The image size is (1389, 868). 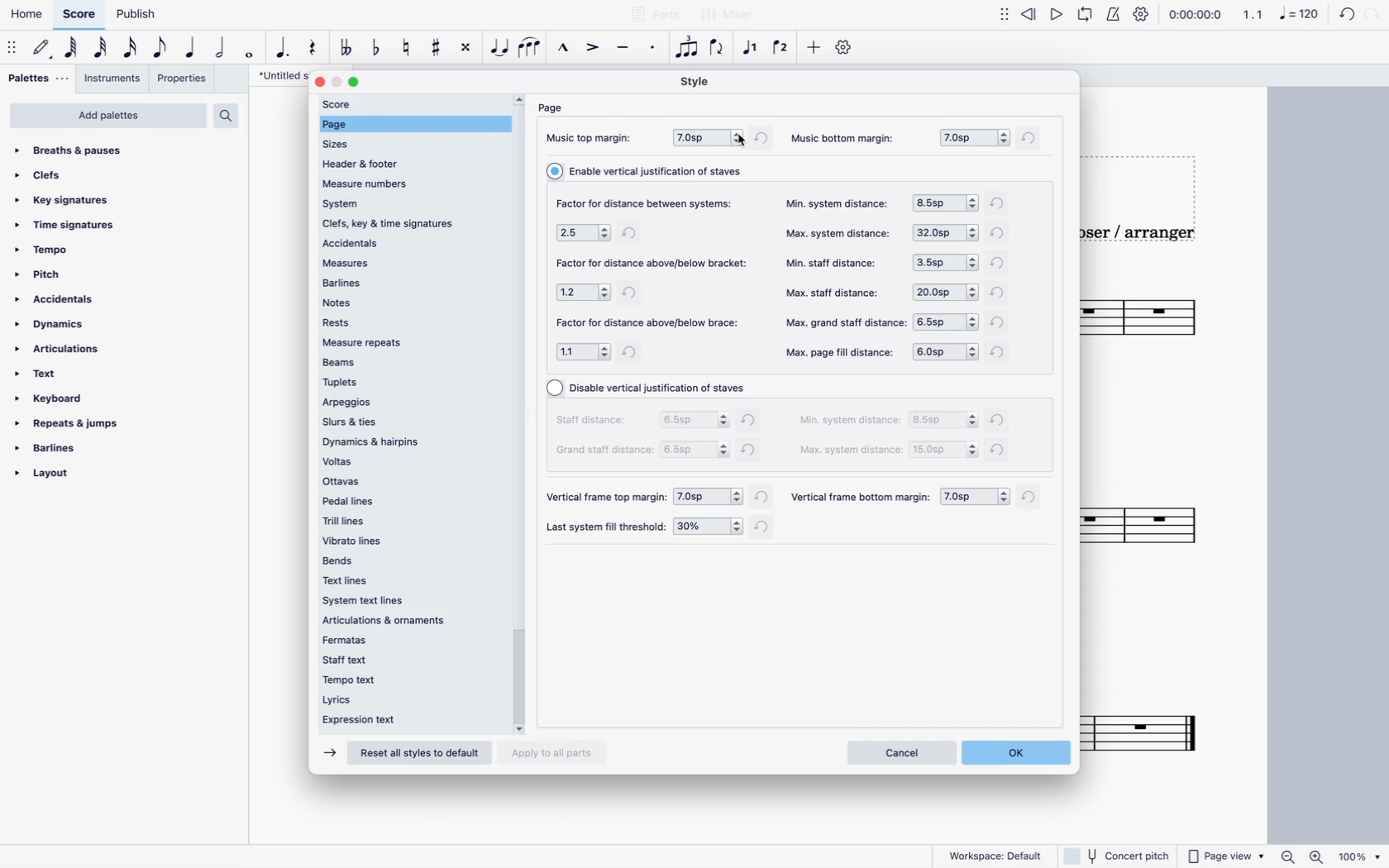 What do you see at coordinates (900, 752) in the screenshot?
I see `cancel` at bounding box center [900, 752].